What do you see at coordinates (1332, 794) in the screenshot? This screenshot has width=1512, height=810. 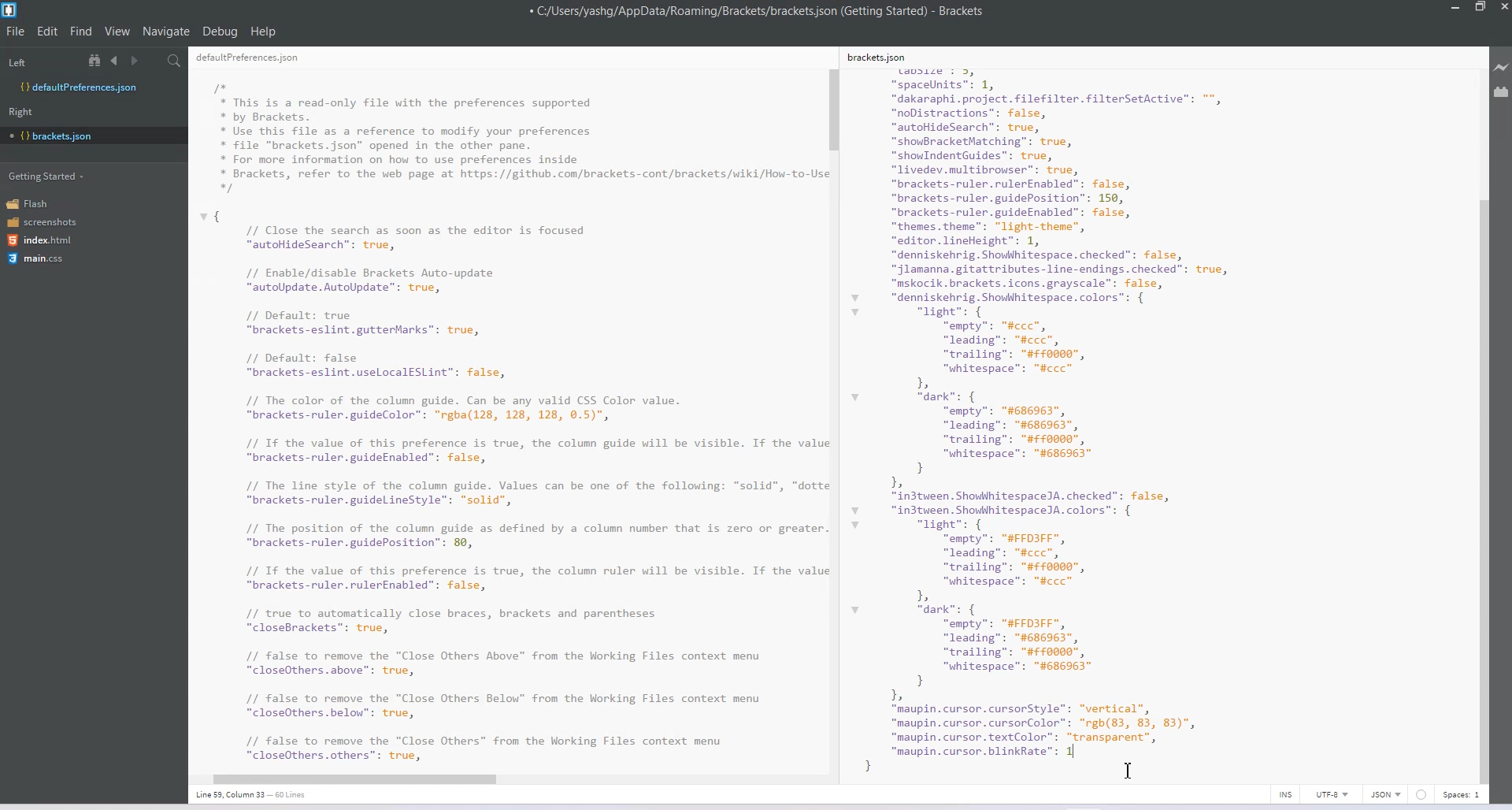 I see `UTF-8` at bounding box center [1332, 794].